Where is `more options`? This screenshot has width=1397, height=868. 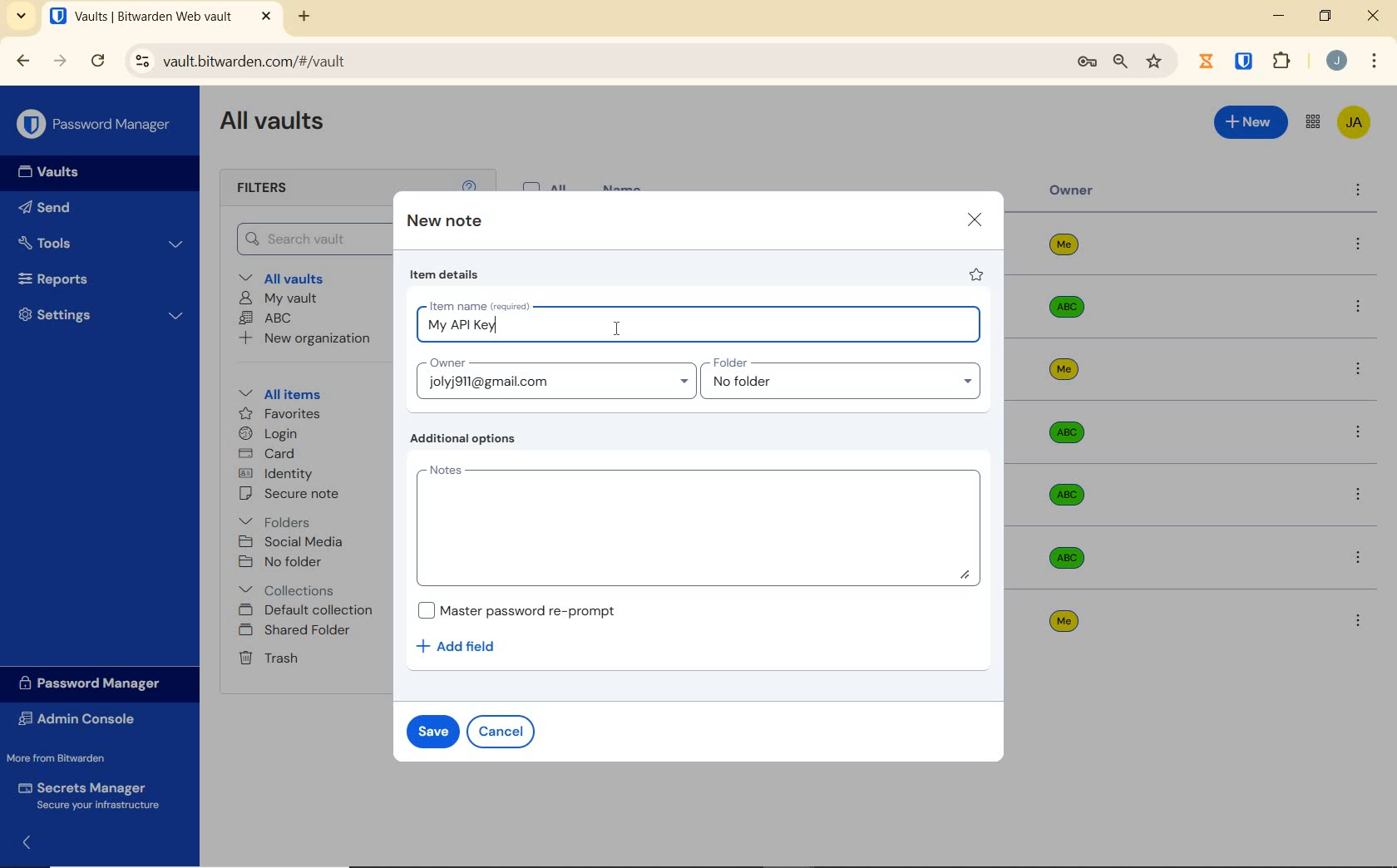
more options is located at coordinates (1359, 372).